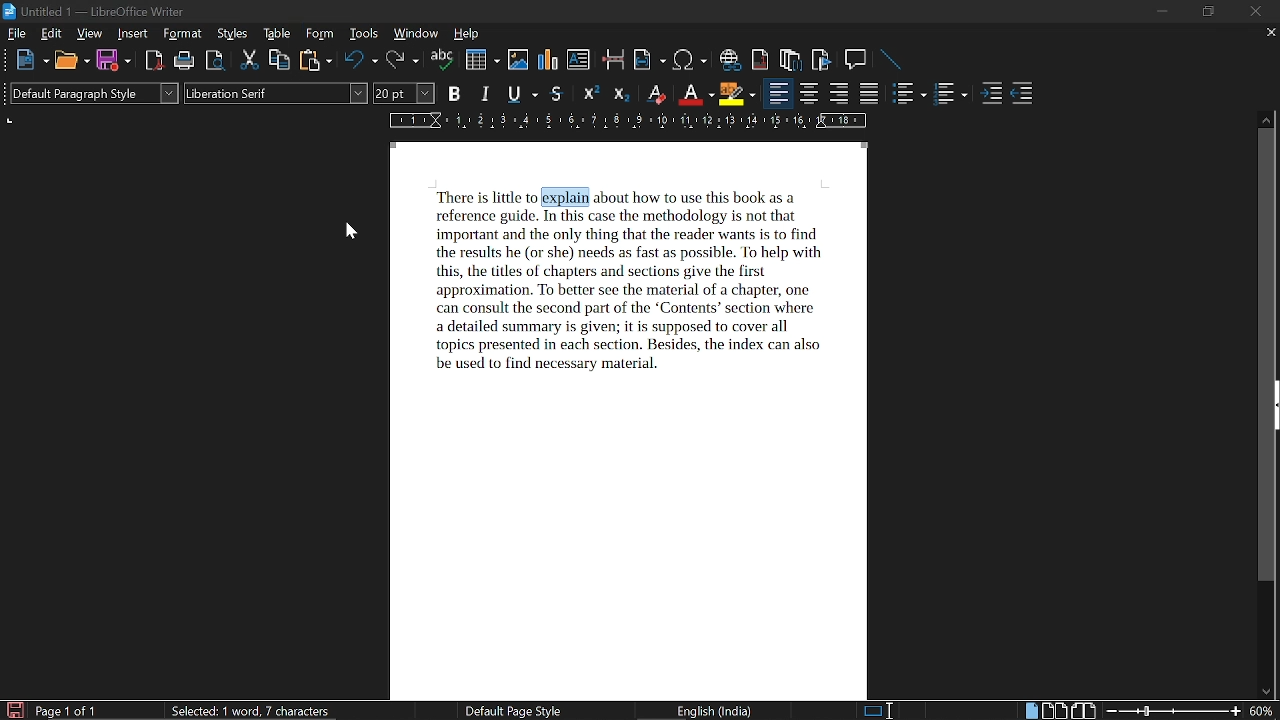 This screenshot has width=1280, height=720. What do you see at coordinates (566, 196) in the screenshot?
I see `explain` at bounding box center [566, 196].